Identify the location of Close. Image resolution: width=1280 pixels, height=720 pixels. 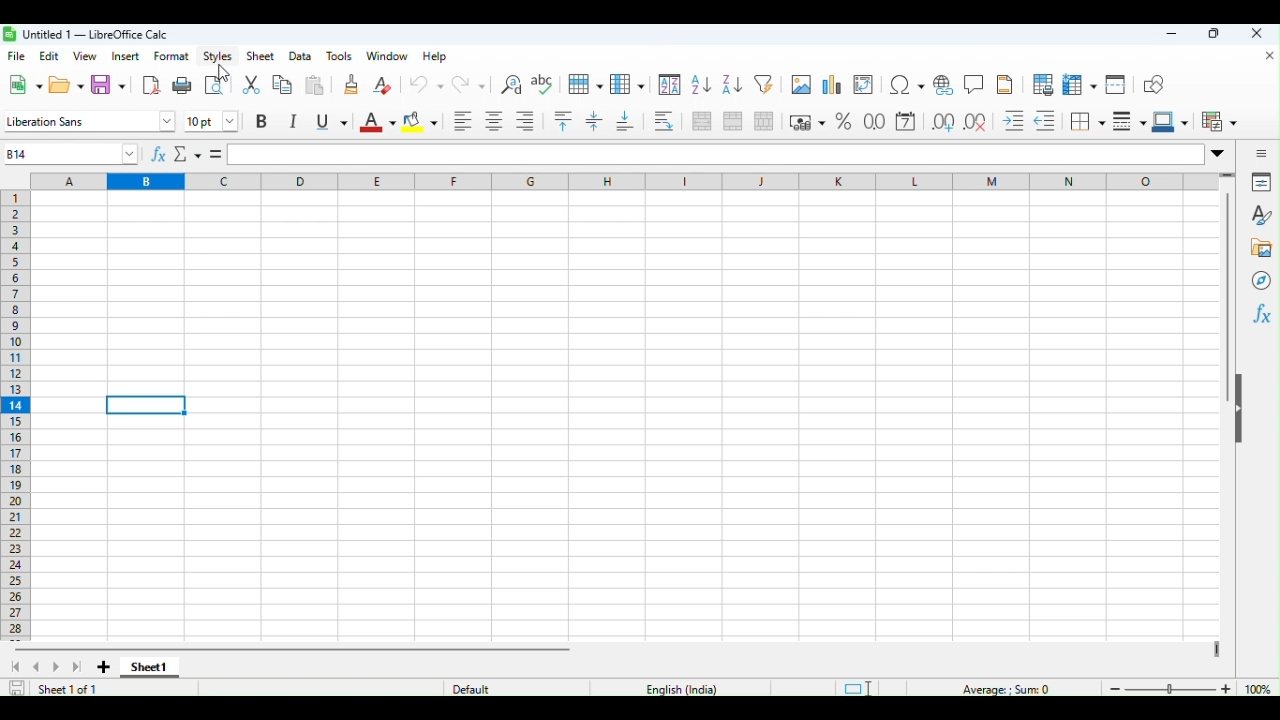
(1257, 35).